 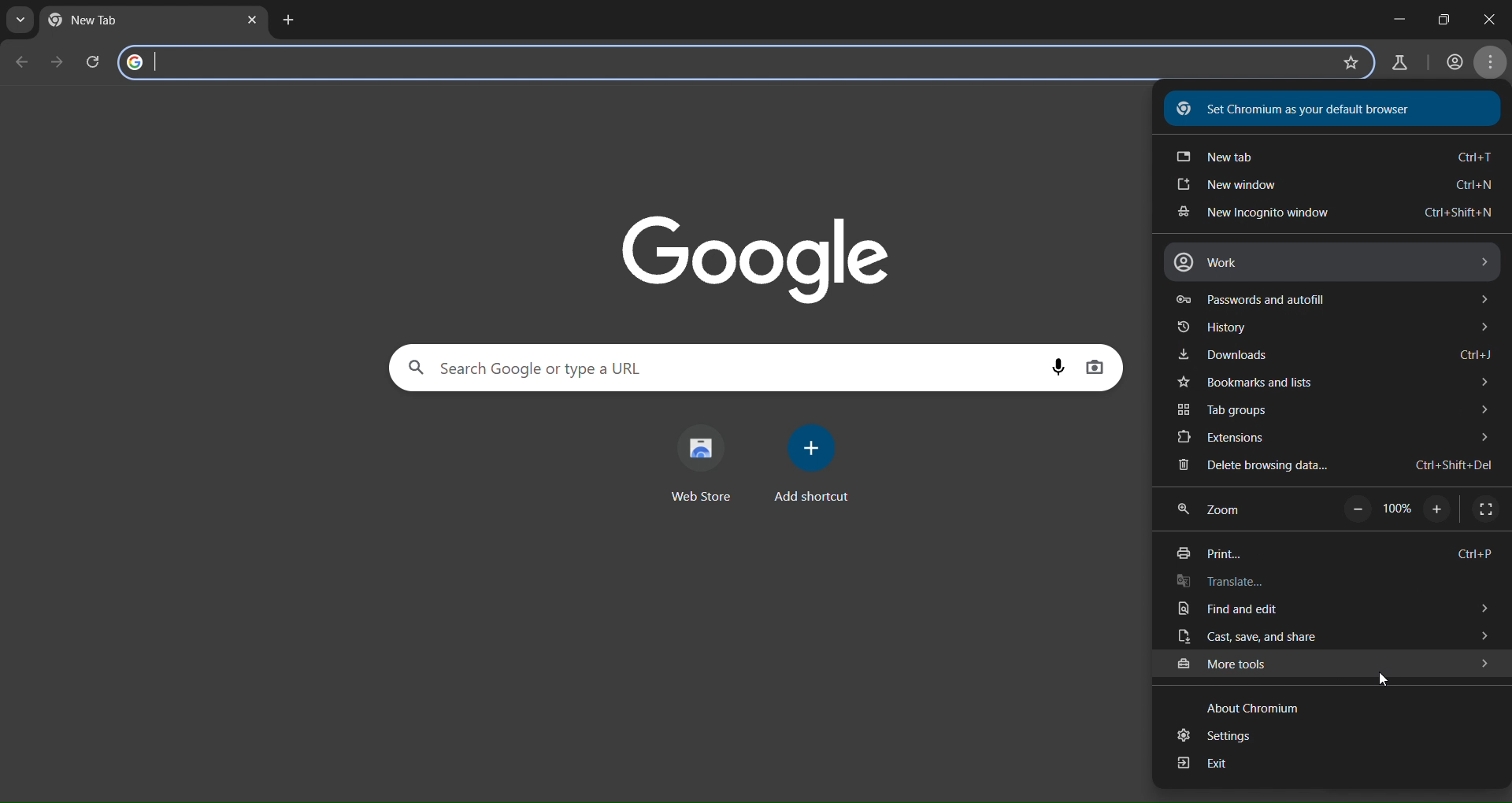 What do you see at coordinates (1387, 680) in the screenshot?
I see `cursor` at bounding box center [1387, 680].